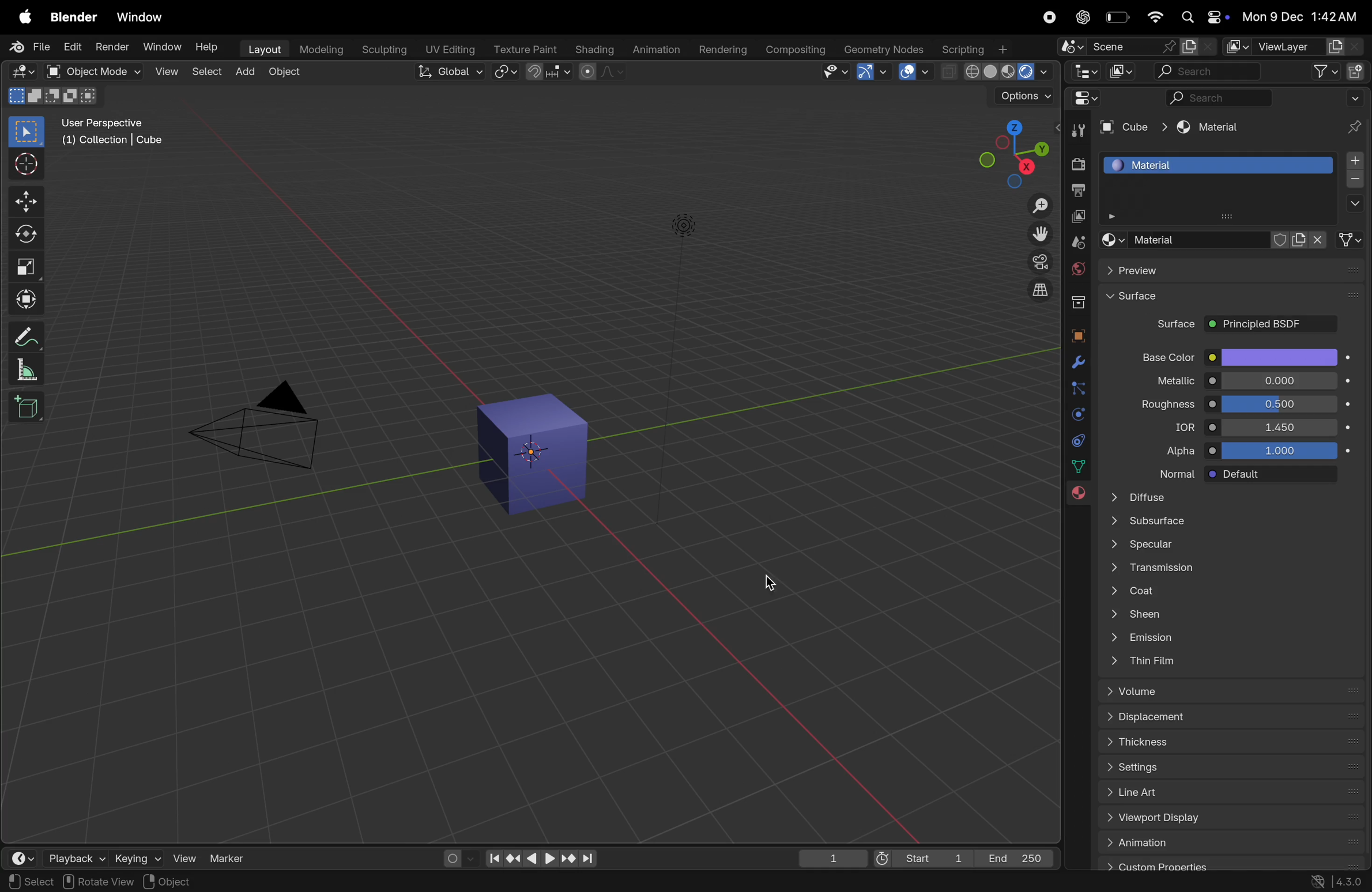 The image size is (1372, 892). Describe the element at coordinates (1076, 414) in the screenshot. I see `physics` at that location.